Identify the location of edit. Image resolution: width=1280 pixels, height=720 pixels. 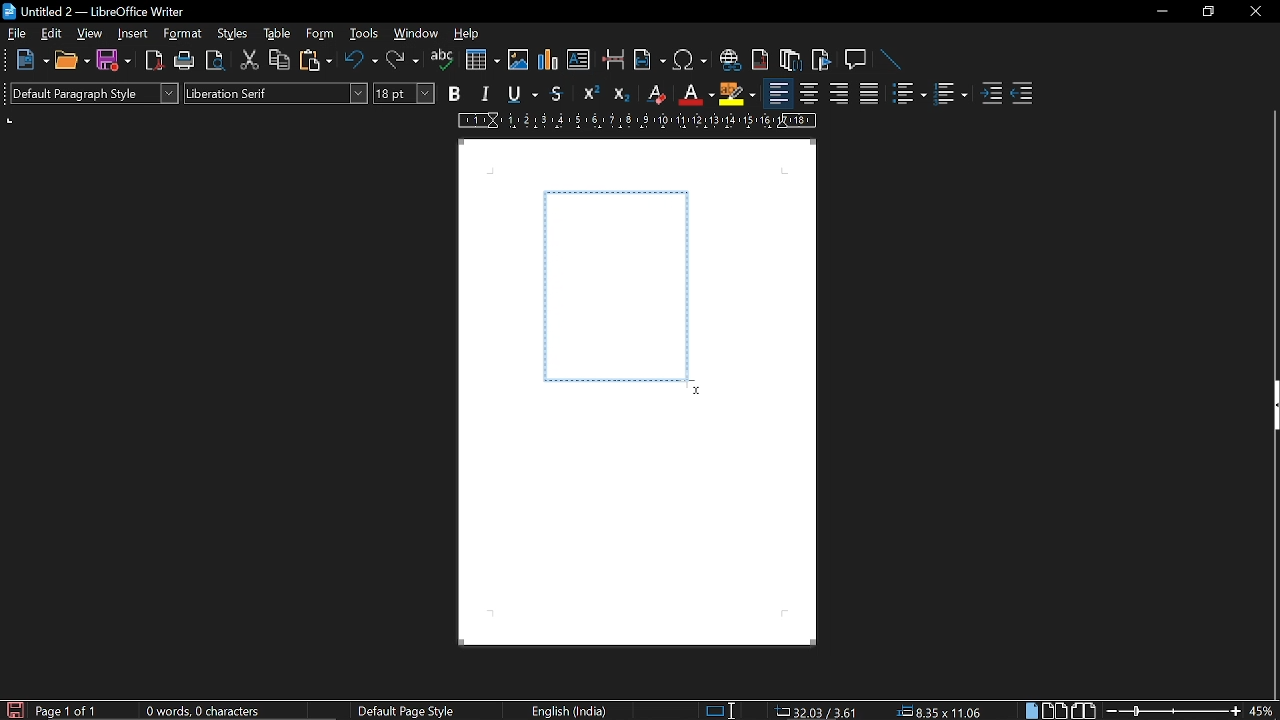
(53, 34).